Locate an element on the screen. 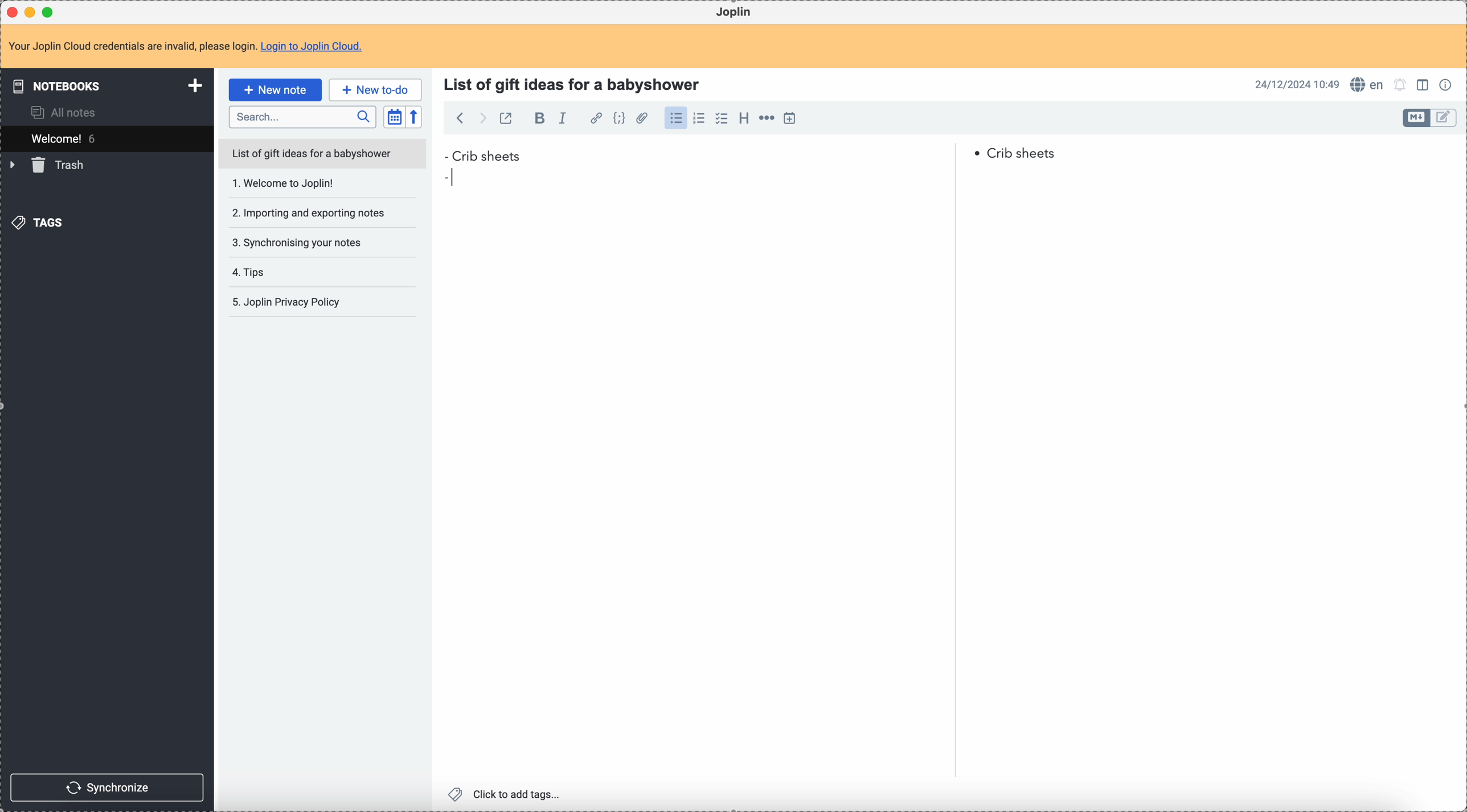  toggle sort order field is located at coordinates (394, 117).